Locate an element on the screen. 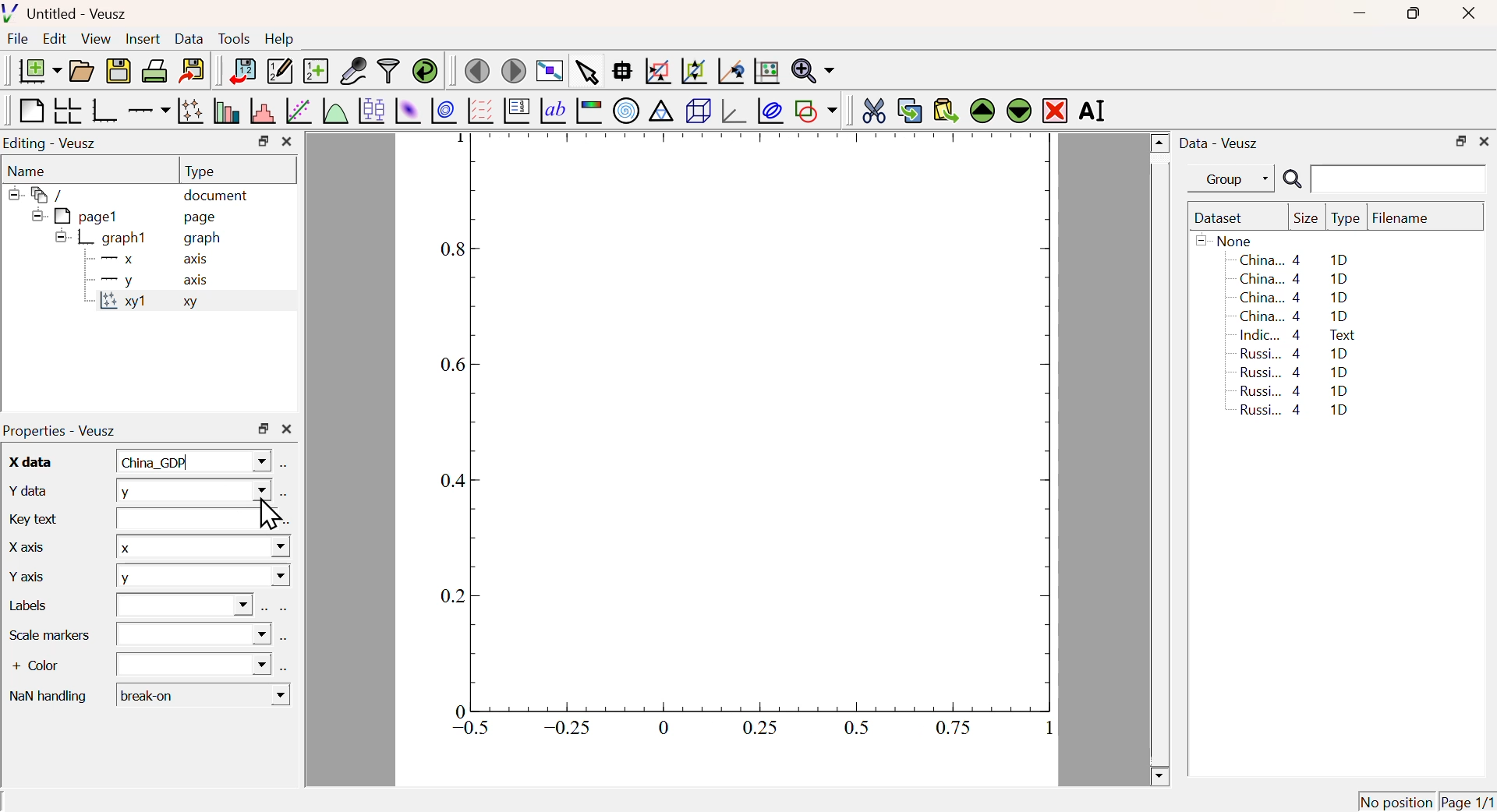 Image resolution: width=1497 pixels, height=812 pixels. Select using dataset Browser is located at coordinates (285, 667).